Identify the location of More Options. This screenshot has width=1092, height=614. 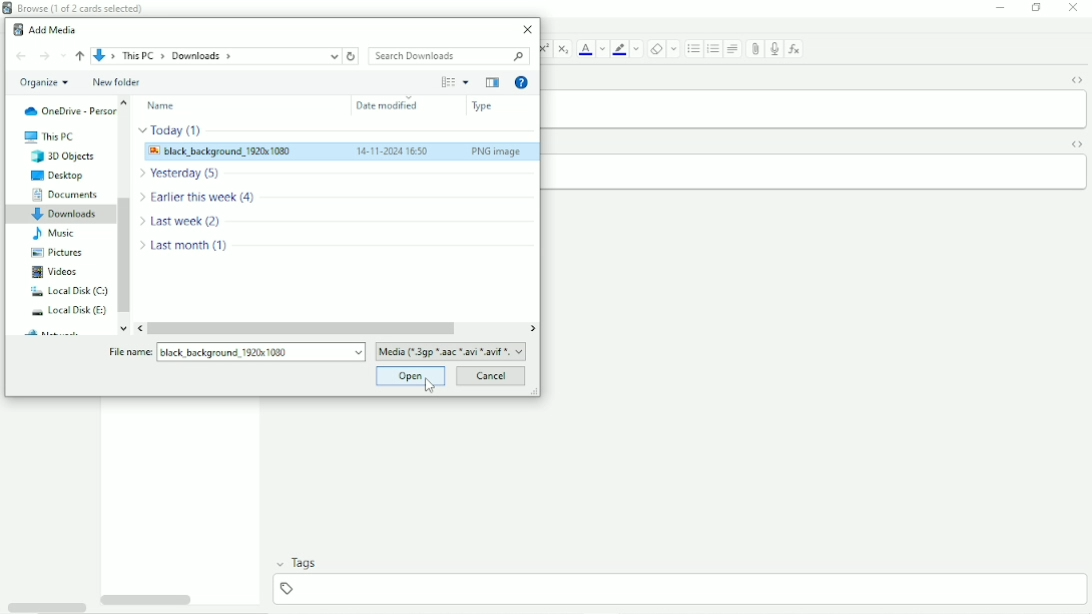
(466, 82).